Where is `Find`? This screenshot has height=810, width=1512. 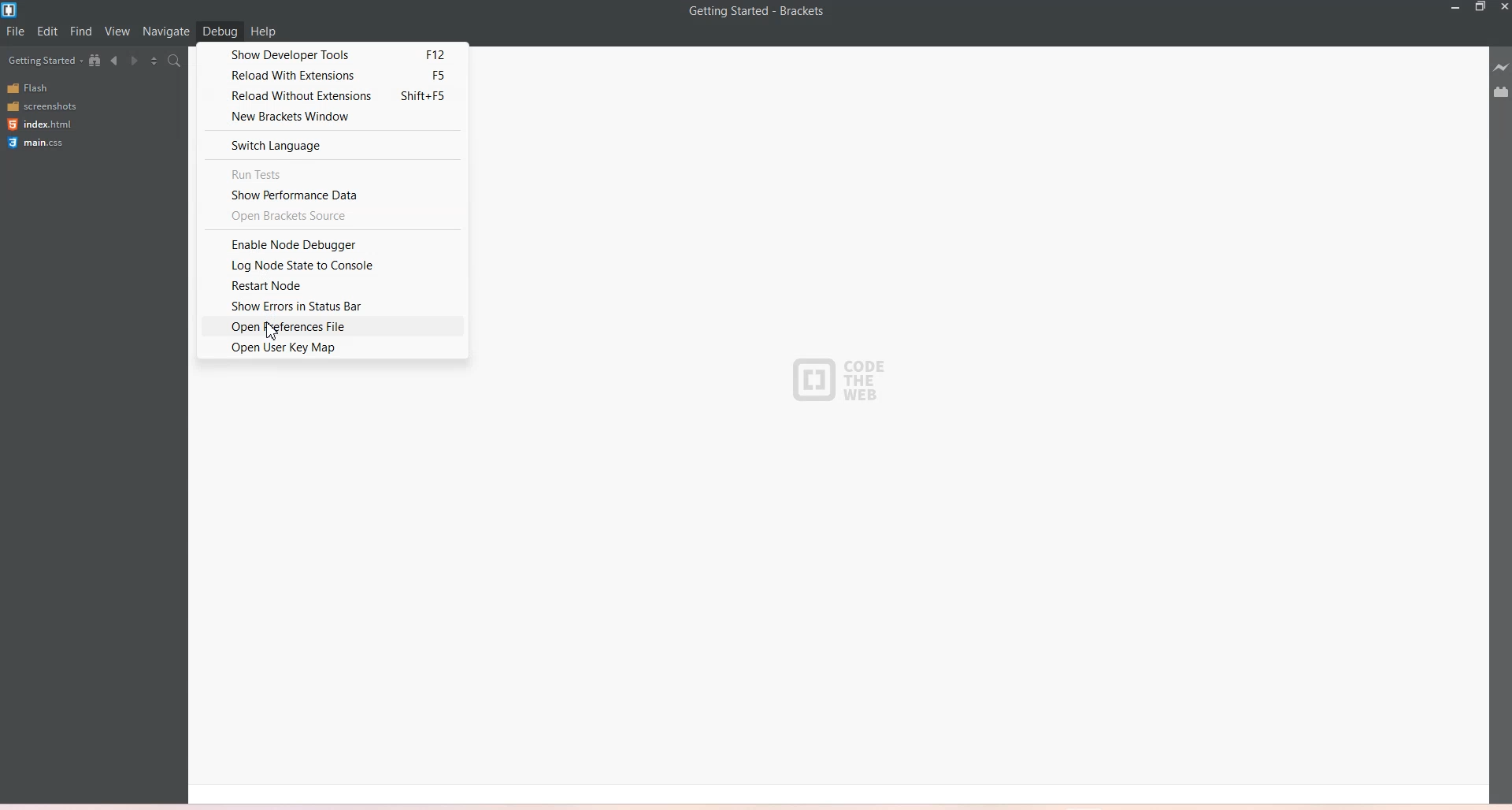 Find is located at coordinates (82, 32).